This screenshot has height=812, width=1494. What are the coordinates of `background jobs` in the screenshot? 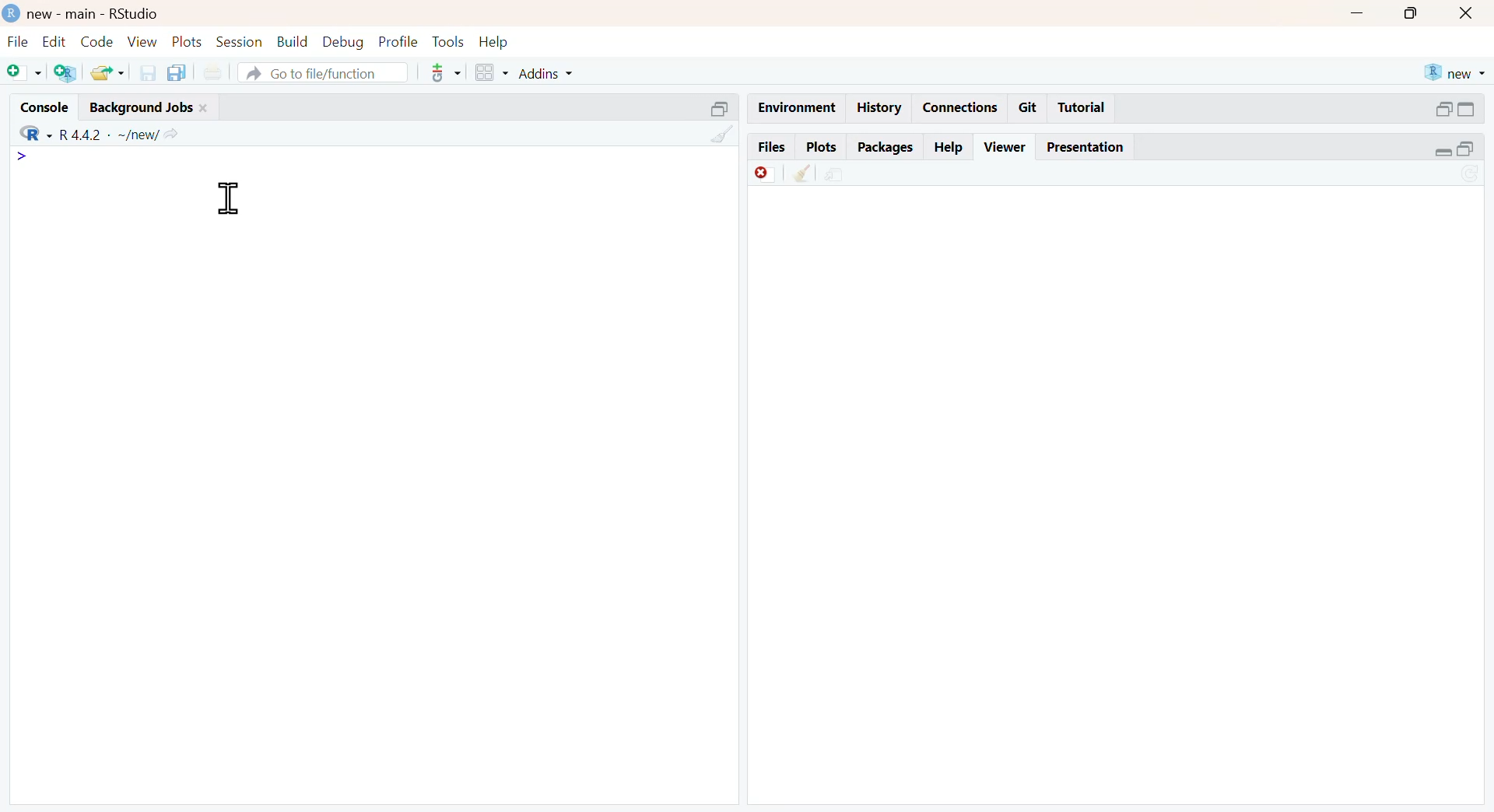 It's located at (142, 108).